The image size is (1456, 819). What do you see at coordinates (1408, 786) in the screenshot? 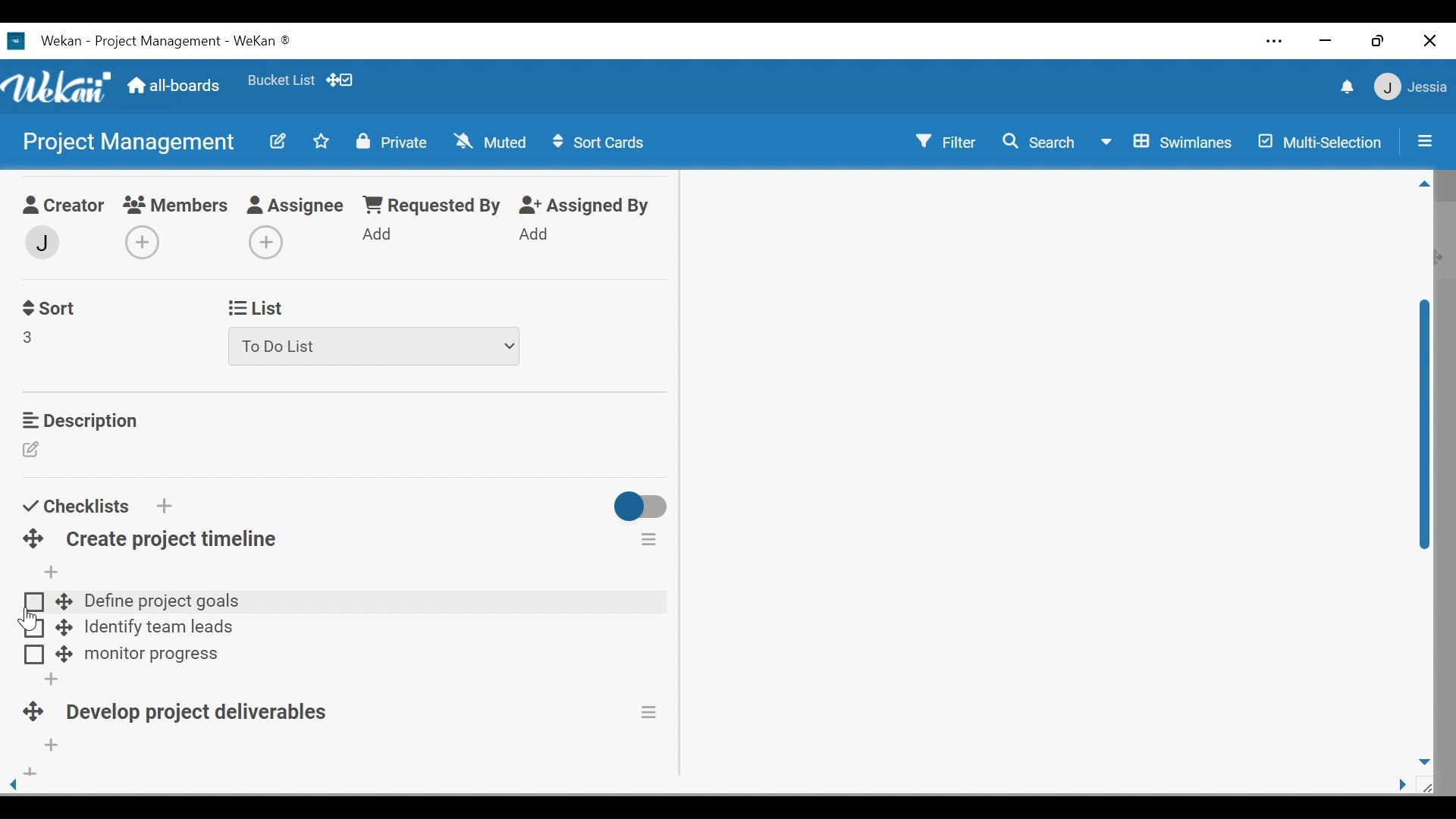
I see `page side` at bounding box center [1408, 786].